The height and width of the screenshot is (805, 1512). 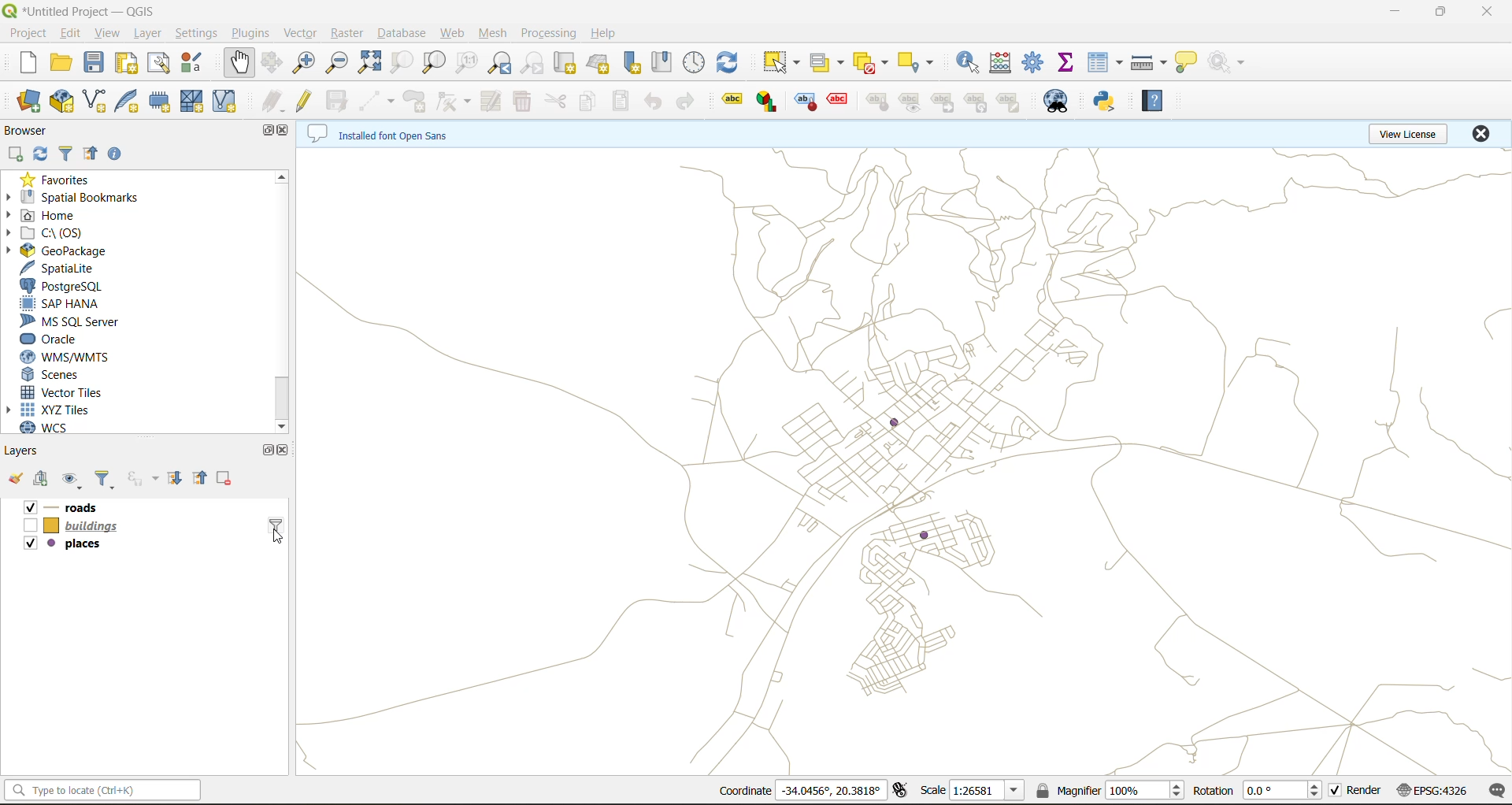 I want to click on mesh, so click(x=492, y=34).